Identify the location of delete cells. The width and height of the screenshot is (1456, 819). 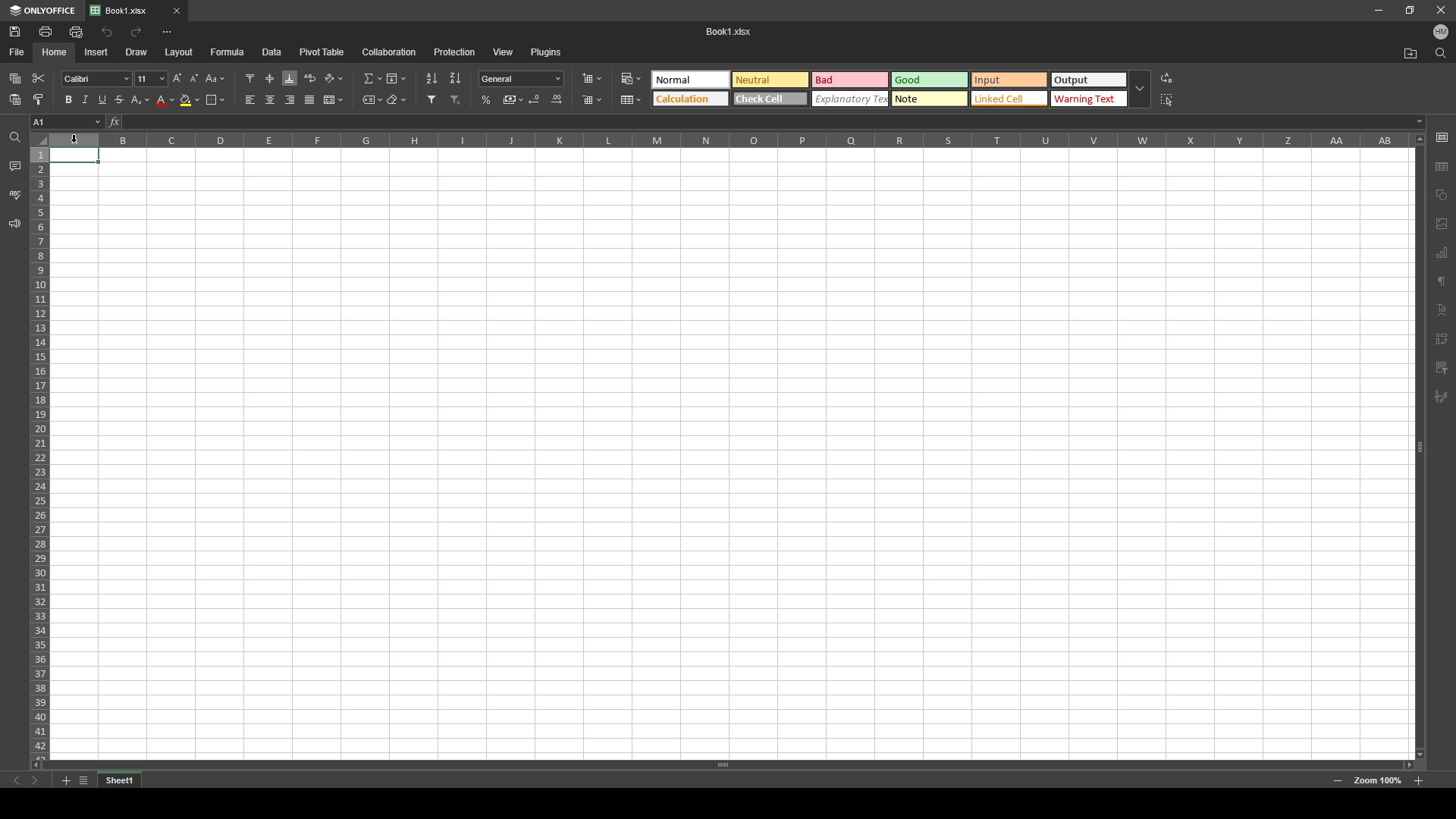
(591, 100).